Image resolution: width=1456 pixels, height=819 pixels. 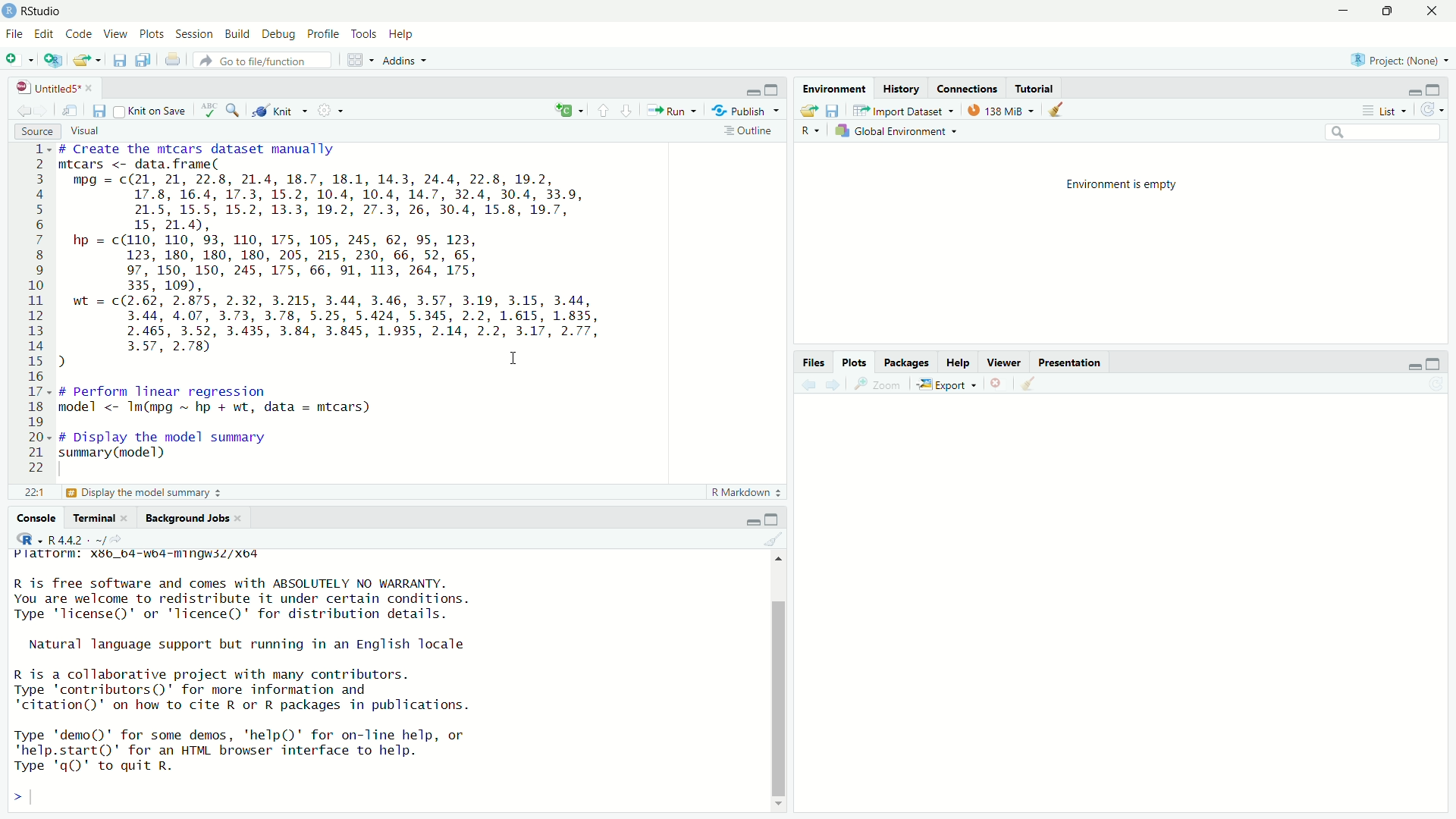 What do you see at coordinates (356, 60) in the screenshot?
I see `workspace panes` at bounding box center [356, 60].